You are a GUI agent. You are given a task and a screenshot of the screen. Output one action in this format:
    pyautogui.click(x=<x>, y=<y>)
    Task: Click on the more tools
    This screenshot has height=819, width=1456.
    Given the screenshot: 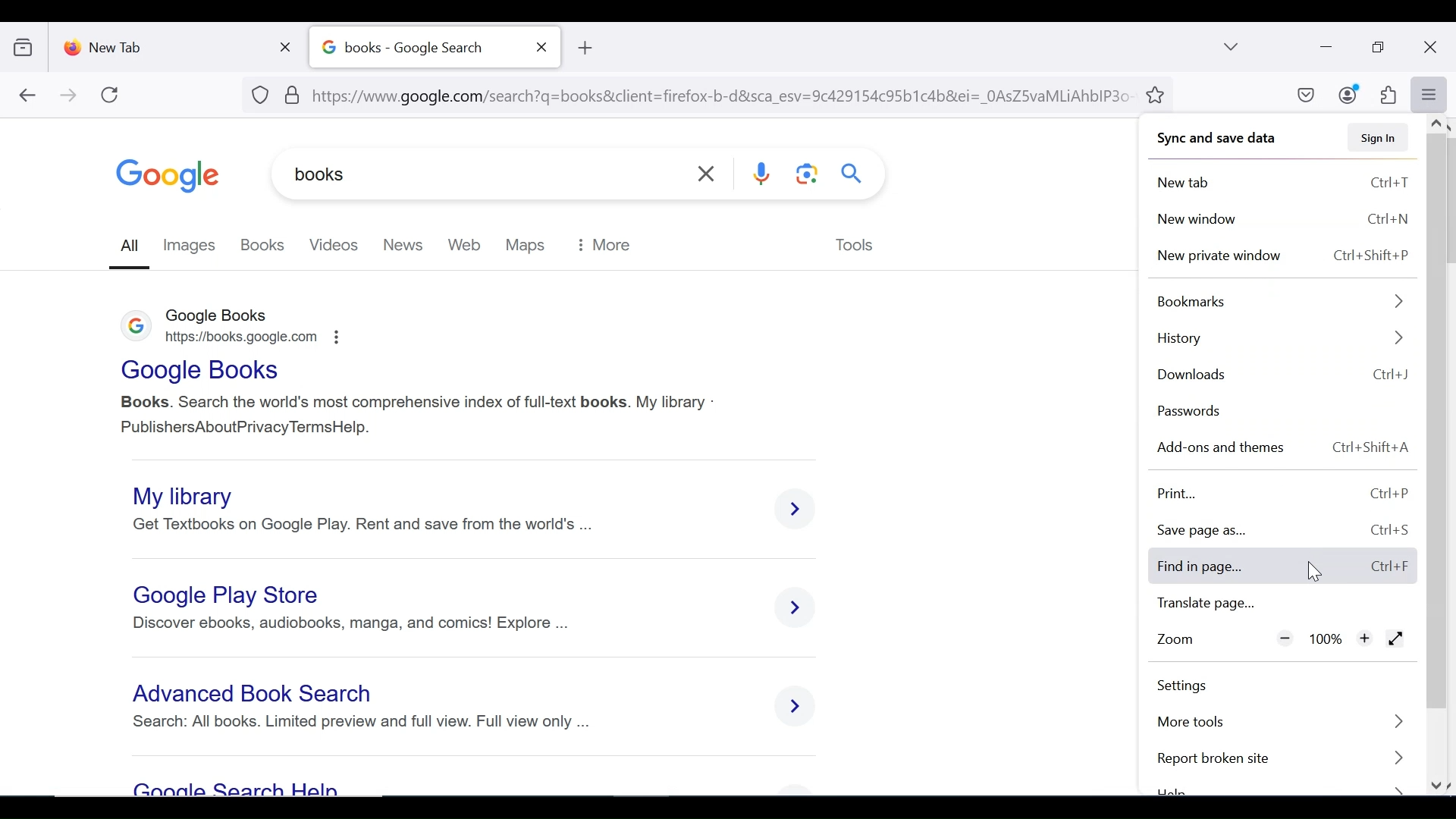 What is the action you would take?
    pyautogui.click(x=1280, y=723)
    